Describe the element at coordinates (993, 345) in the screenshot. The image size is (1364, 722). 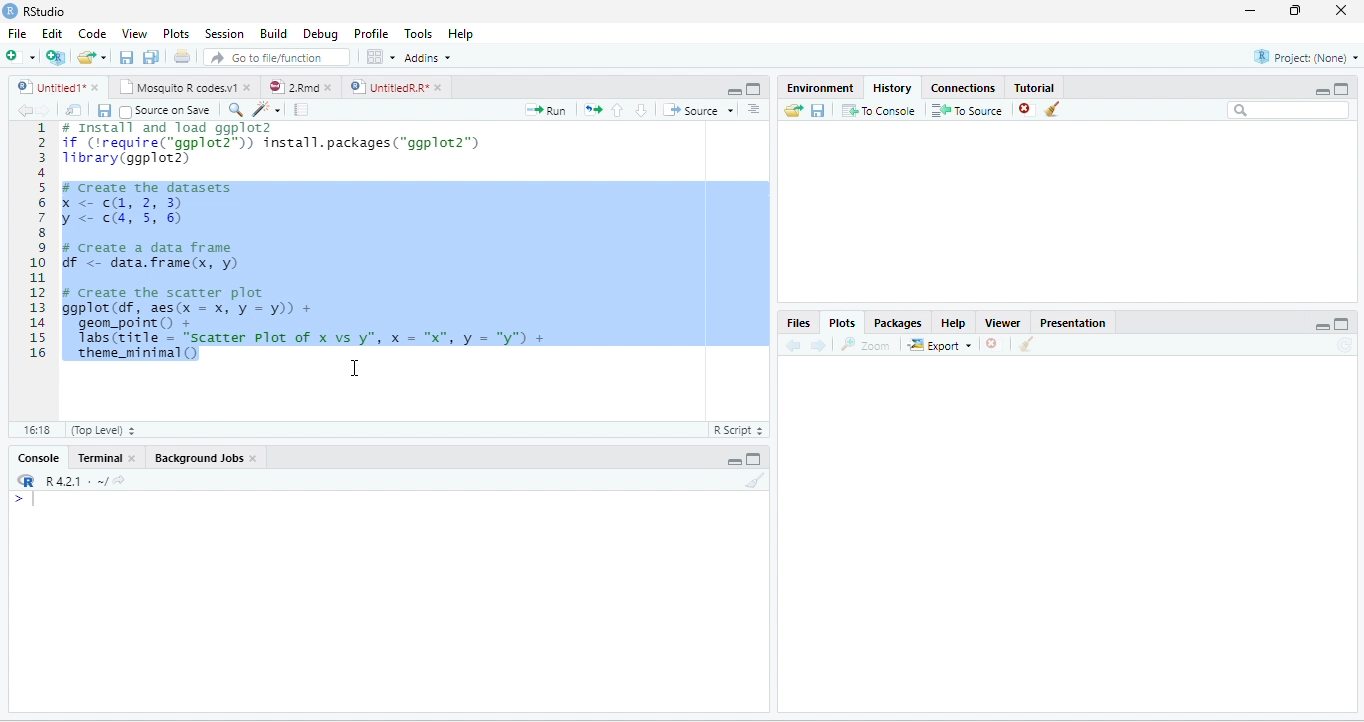
I see `Remove current plot` at that location.